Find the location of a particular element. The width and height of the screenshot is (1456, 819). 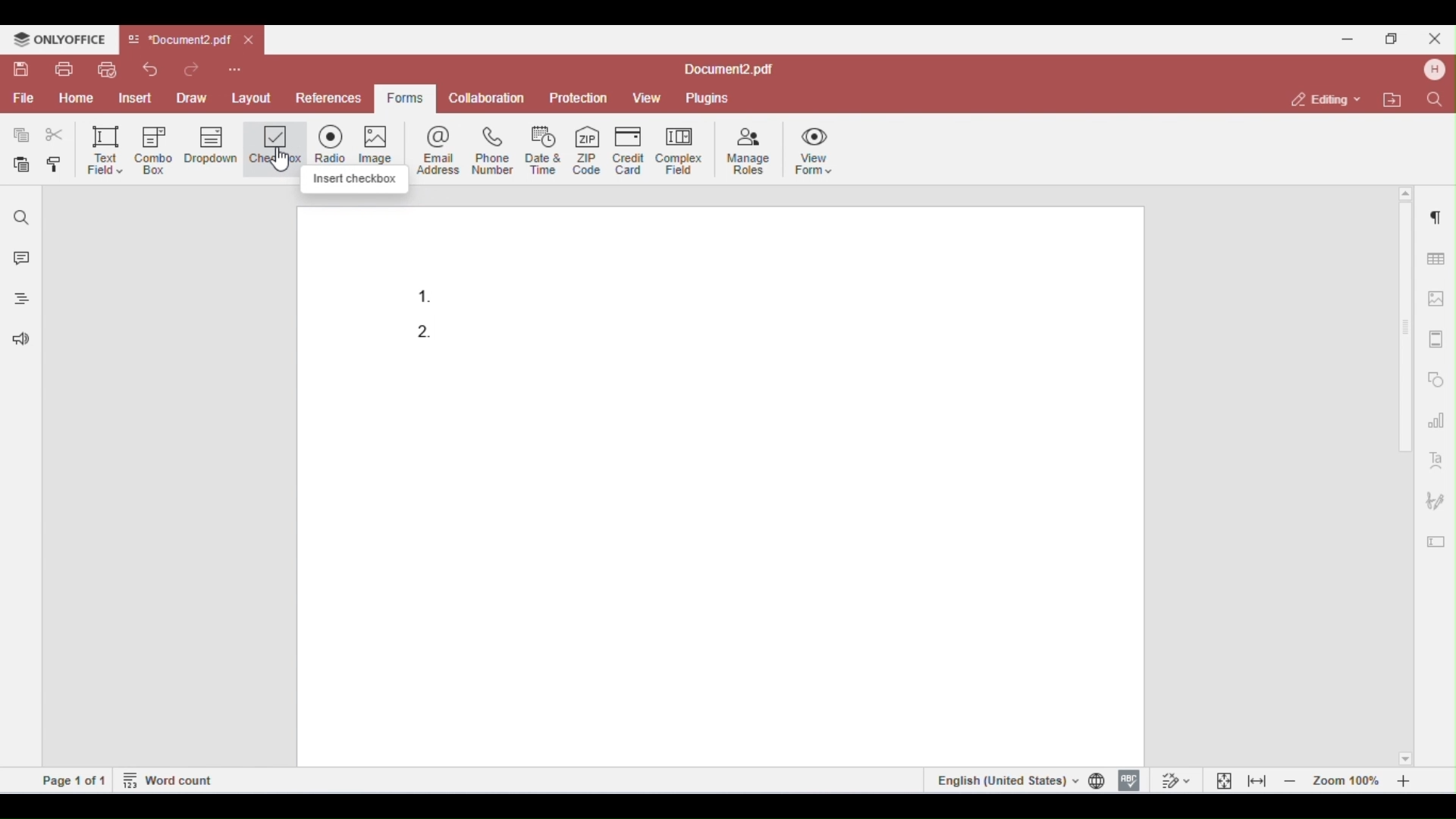

vertical scroll bar is located at coordinates (1407, 338).